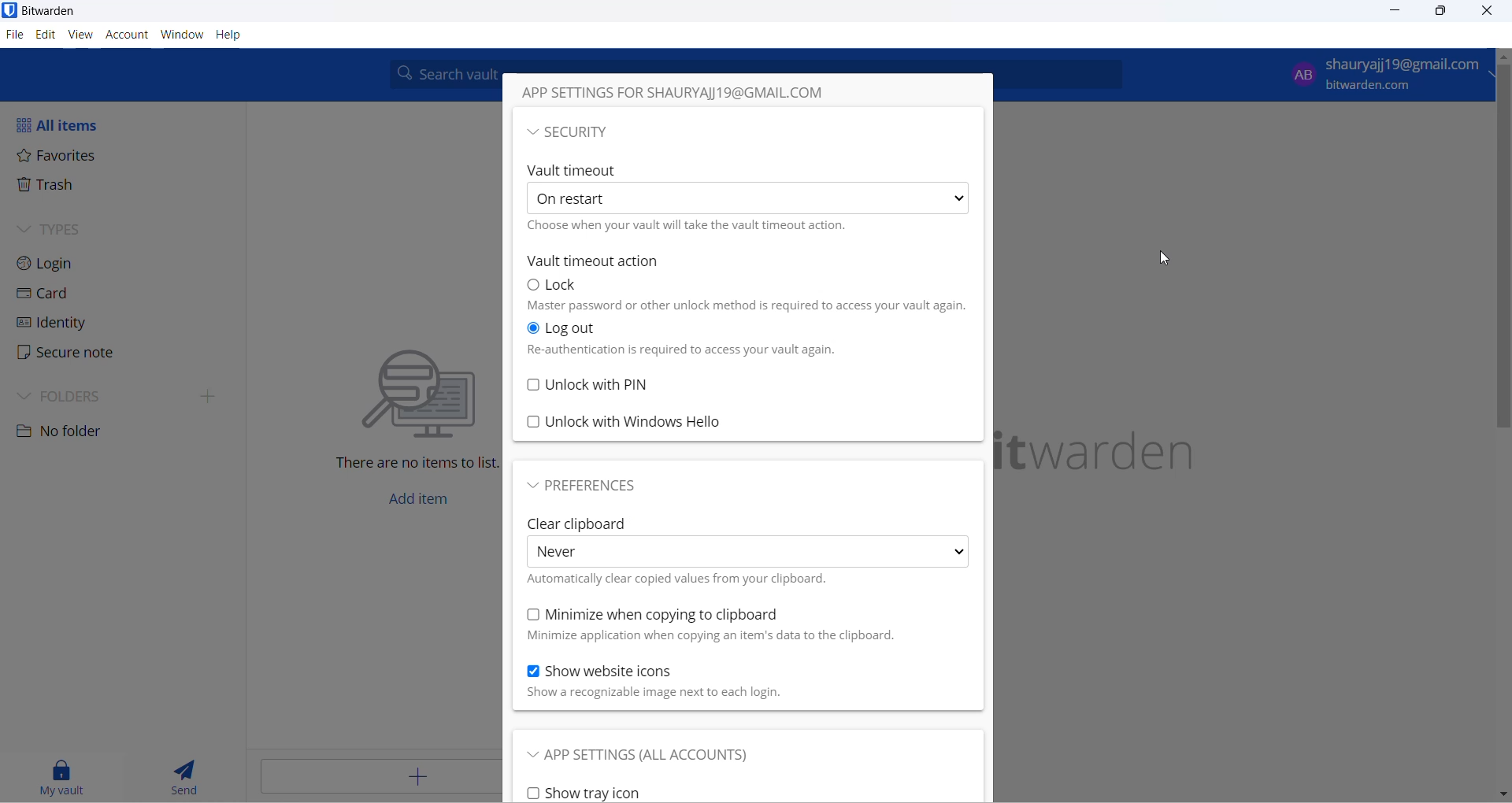 The width and height of the screenshot is (1512, 803). I want to click on text, so click(710, 637).